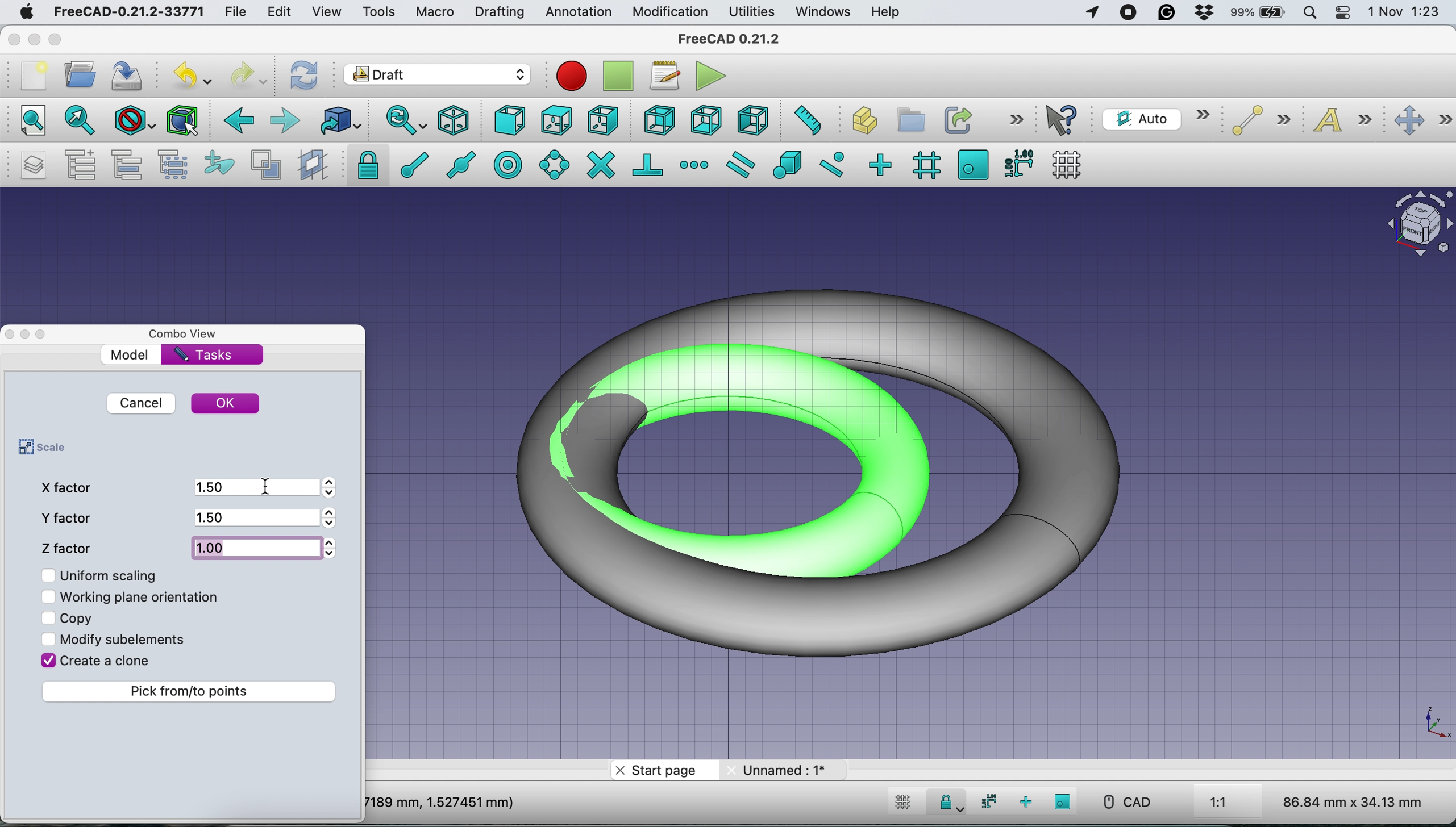 The height and width of the screenshot is (827, 1456). Describe the element at coordinates (859, 122) in the screenshot. I see `create part` at that location.